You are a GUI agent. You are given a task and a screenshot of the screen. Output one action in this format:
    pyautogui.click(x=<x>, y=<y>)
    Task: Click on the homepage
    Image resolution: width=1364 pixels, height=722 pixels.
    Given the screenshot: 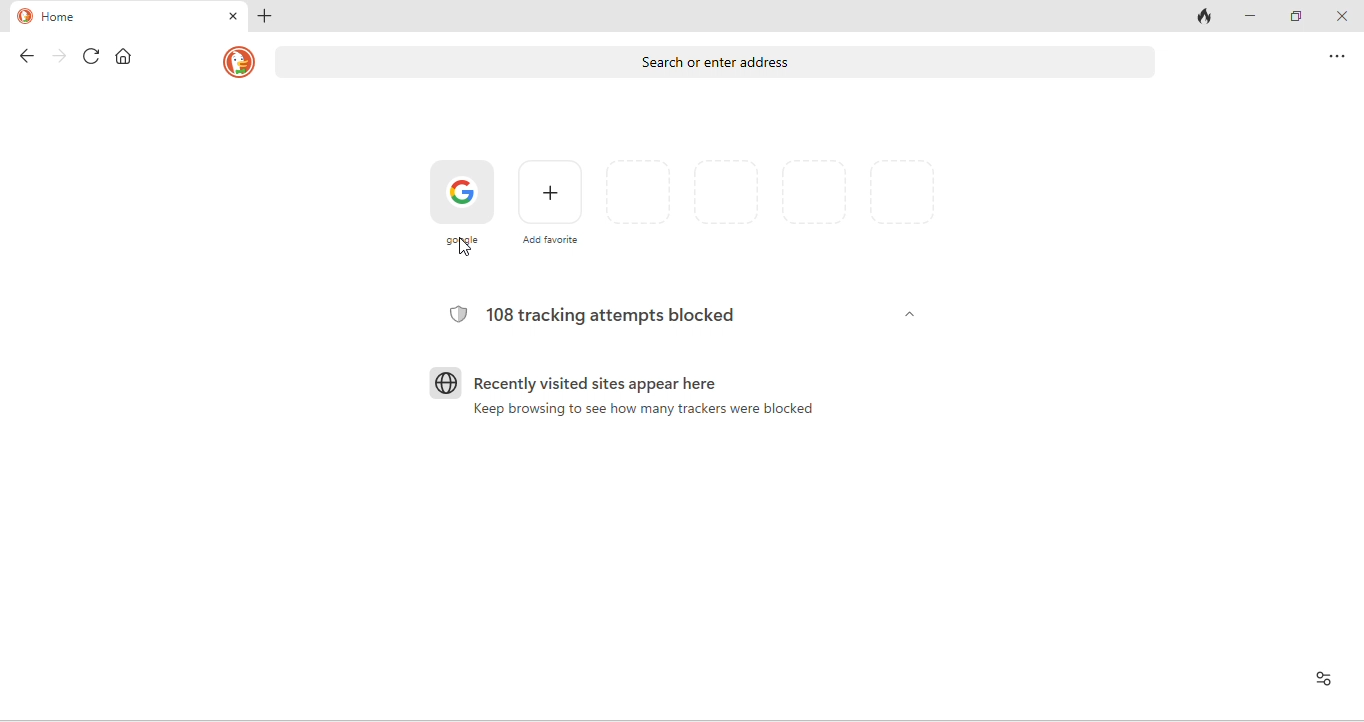 What is the action you would take?
    pyautogui.click(x=236, y=64)
    